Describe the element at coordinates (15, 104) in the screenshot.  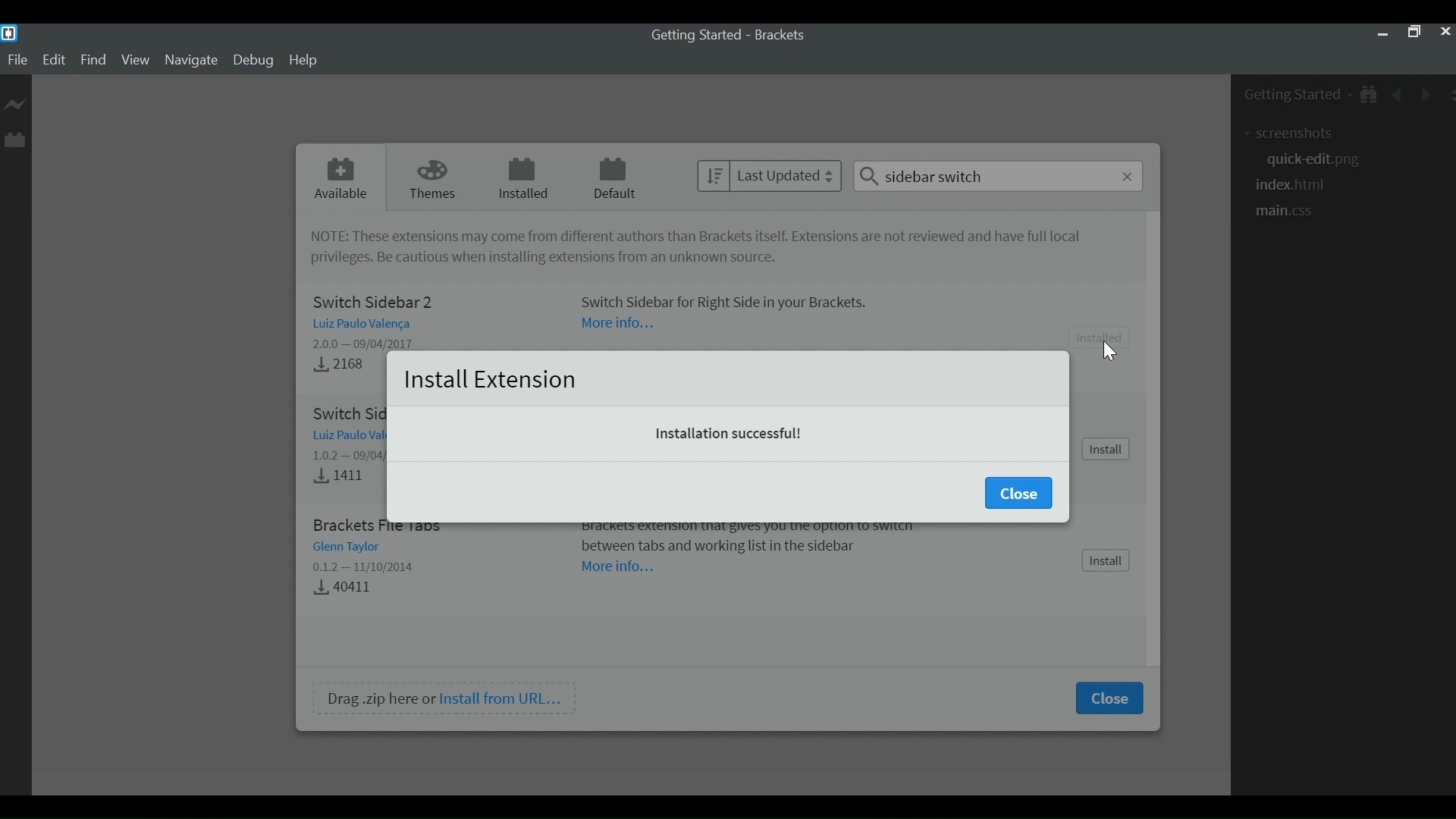
I see `Live Preview` at that location.